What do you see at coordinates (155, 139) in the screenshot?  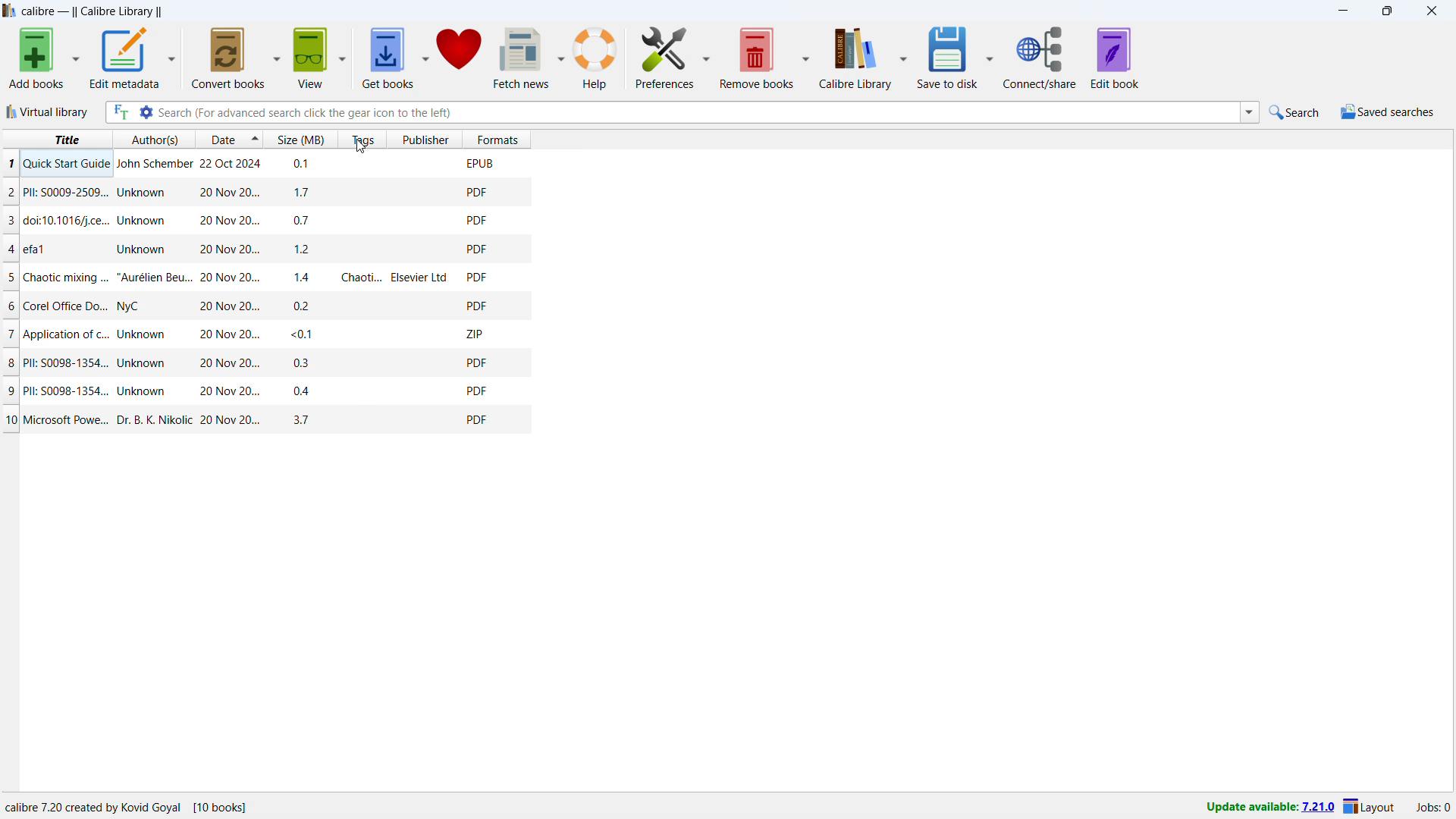 I see `sort by authors` at bounding box center [155, 139].